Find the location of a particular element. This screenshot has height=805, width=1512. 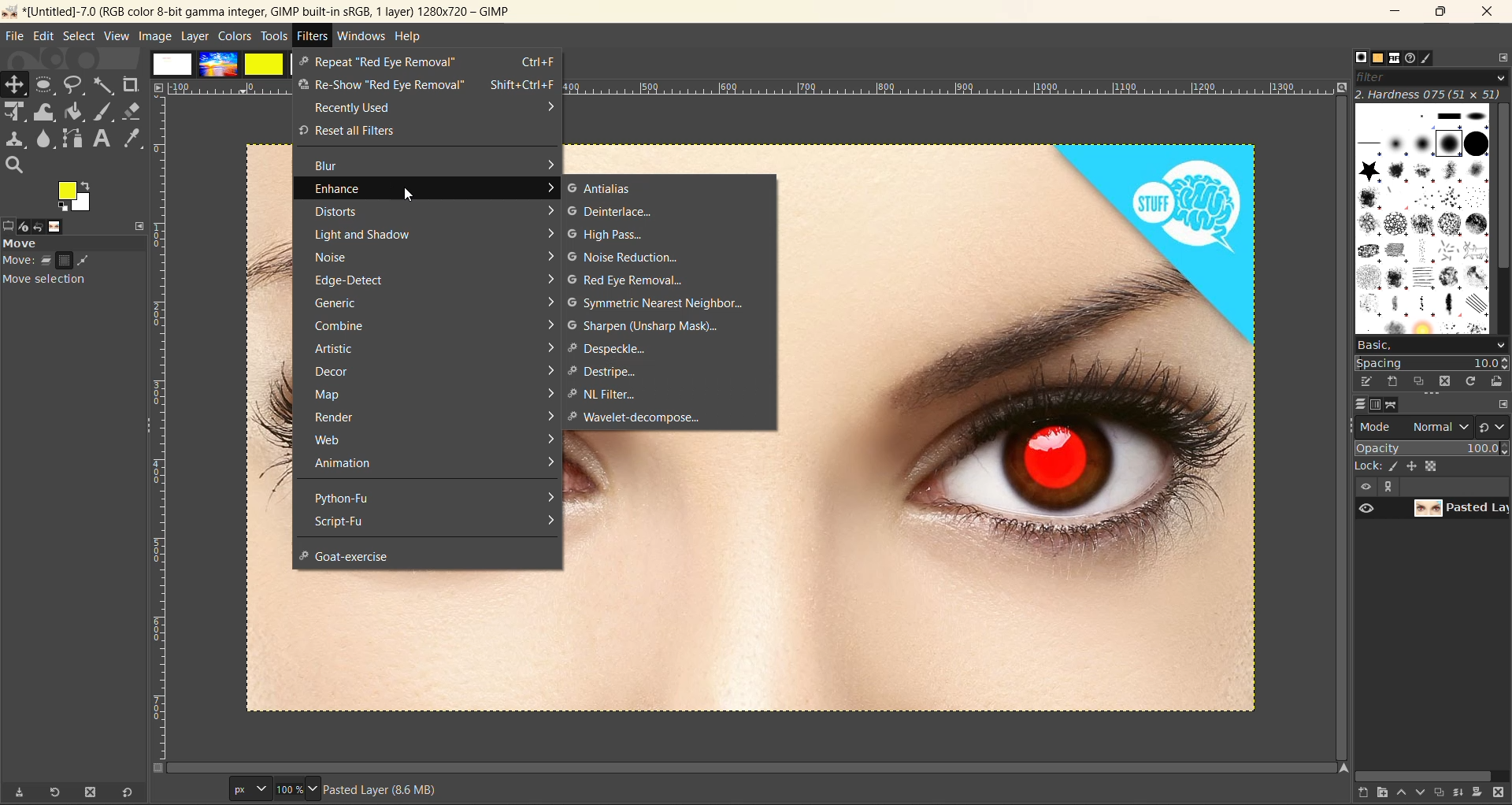

close is located at coordinates (1488, 12).